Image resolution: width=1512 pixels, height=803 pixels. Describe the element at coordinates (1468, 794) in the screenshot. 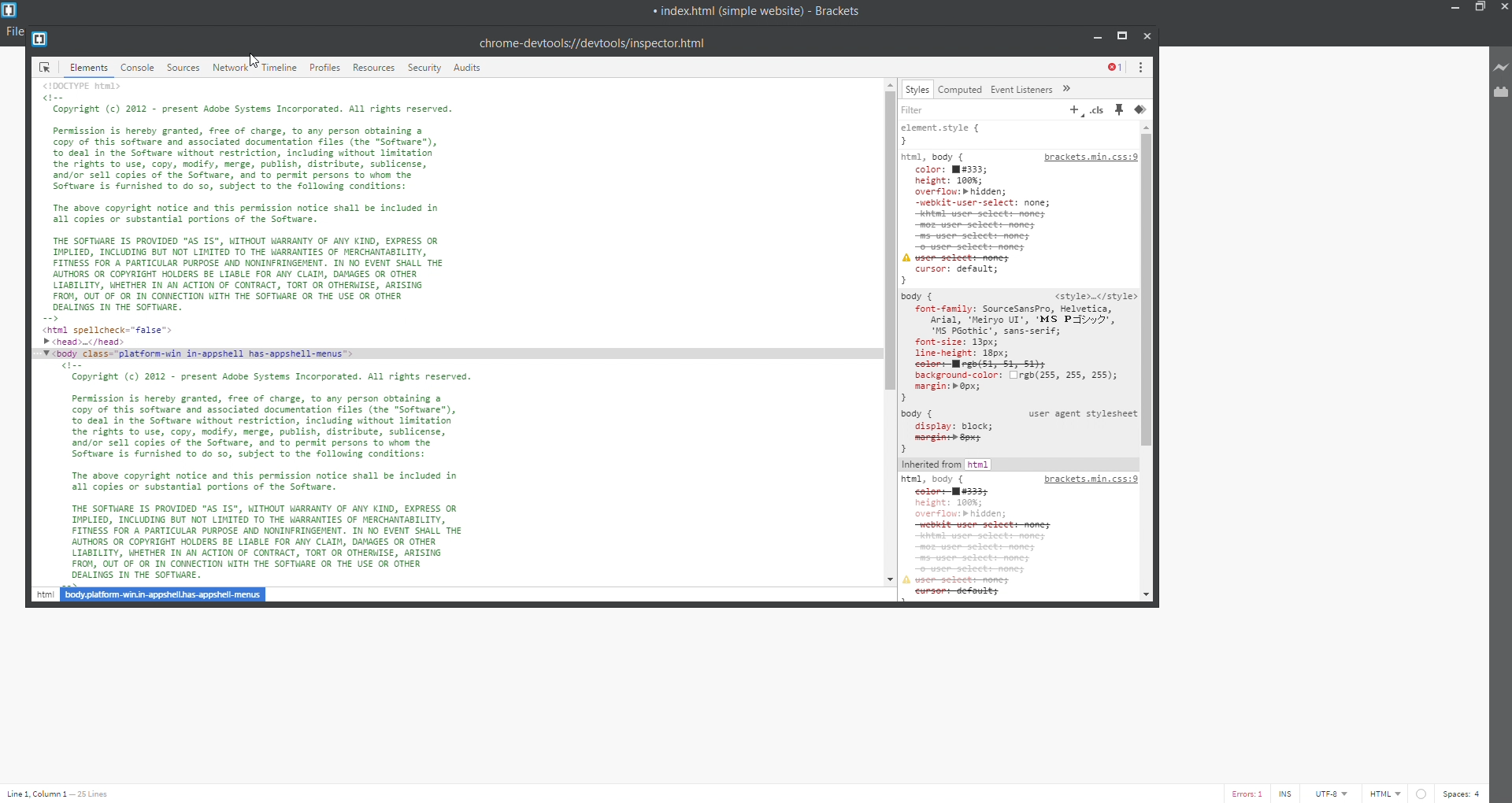

I see `space count` at that location.